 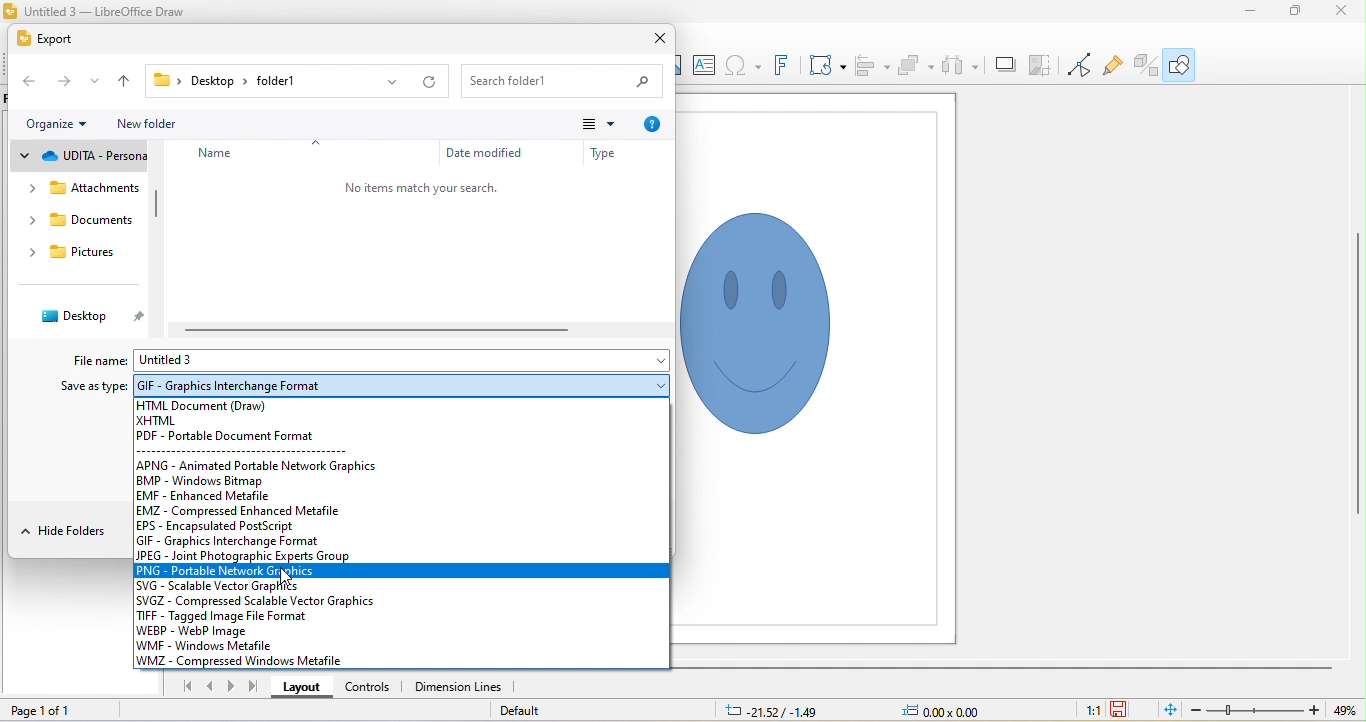 What do you see at coordinates (395, 84) in the screenshot?
I see `drop down` at bounding box center [395, 84].